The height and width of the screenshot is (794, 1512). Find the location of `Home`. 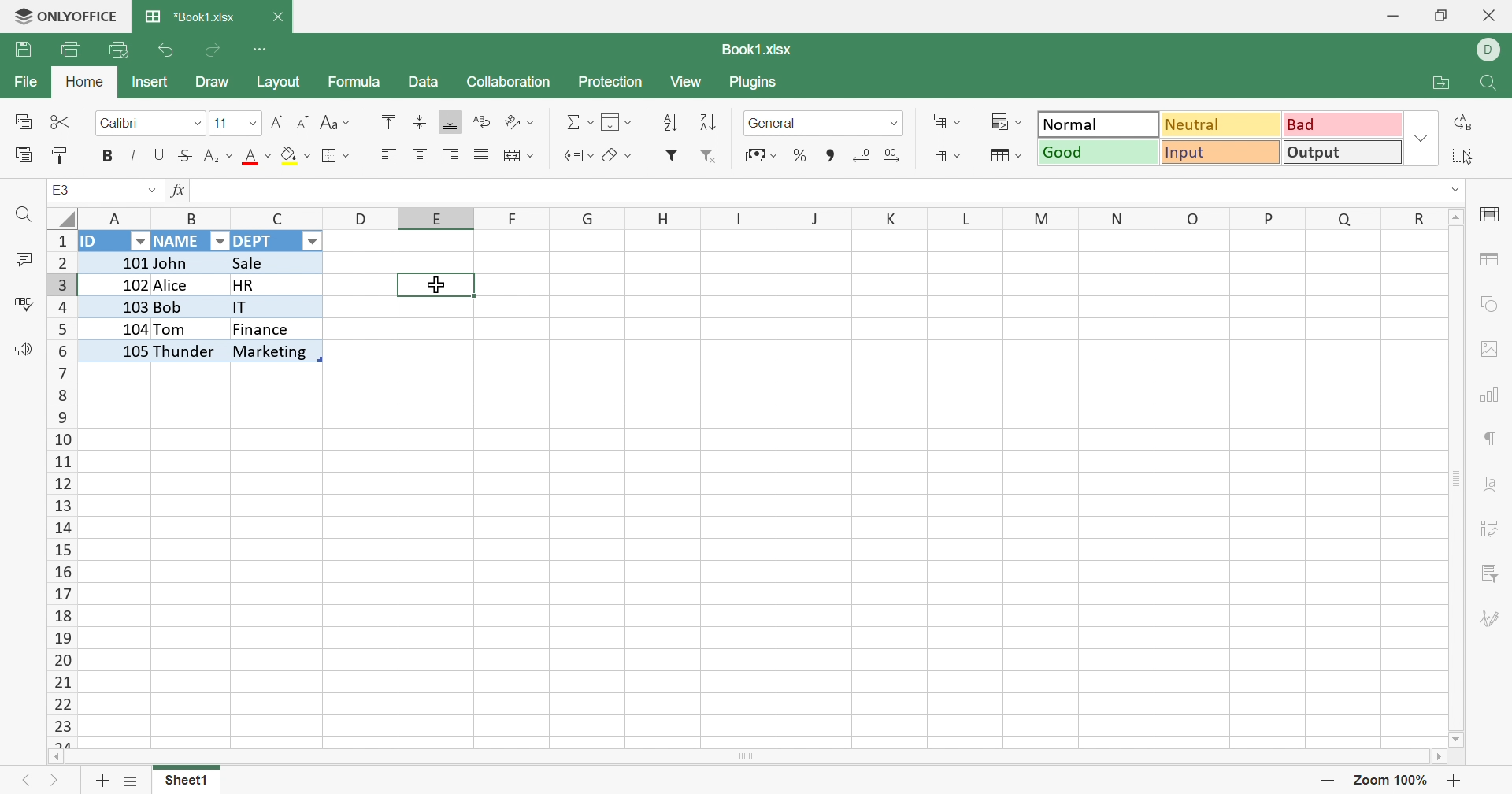

Home is located at coordinates (82, 83).